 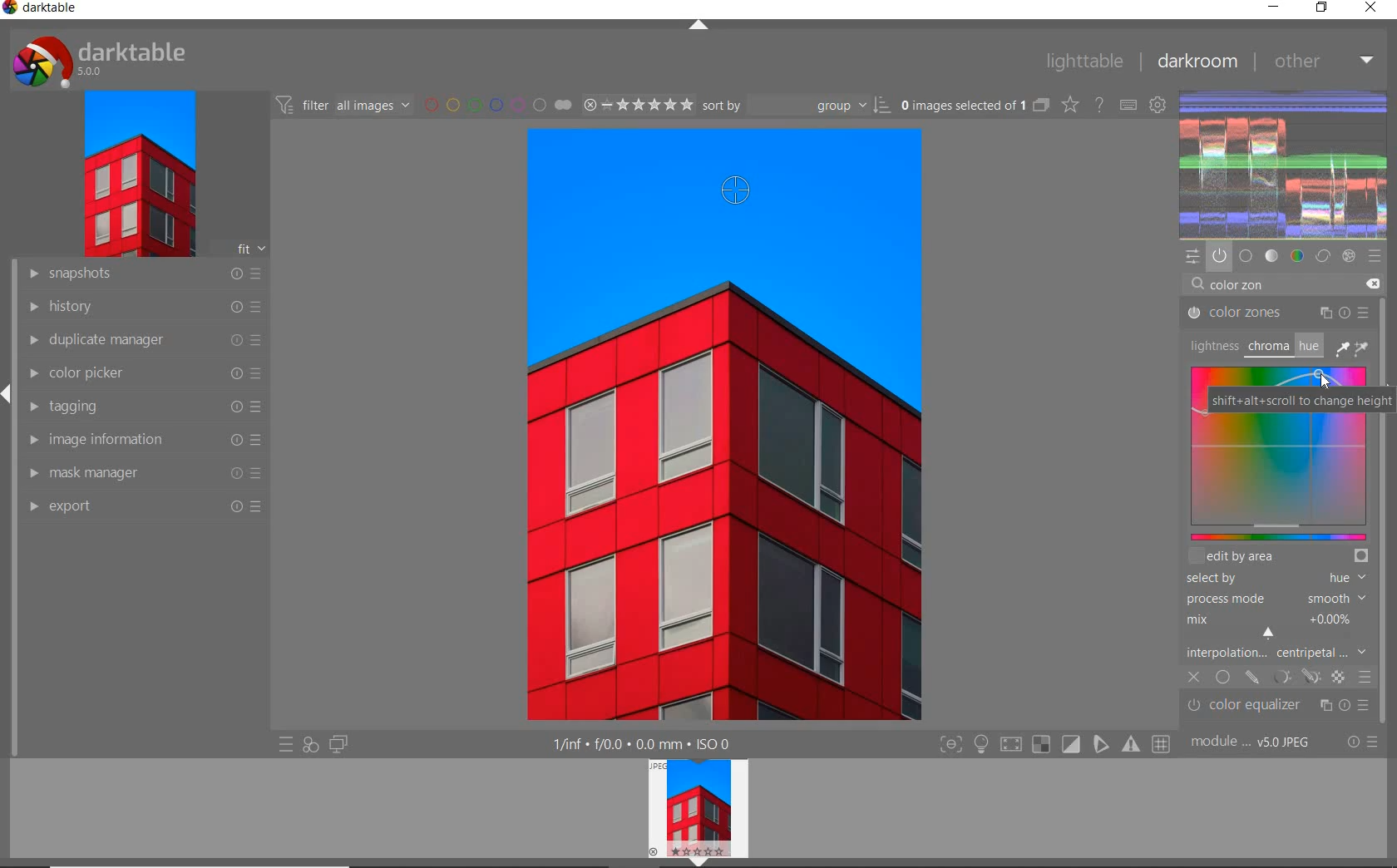 I want to click on show global preferences, so click(x=1159, y=106).